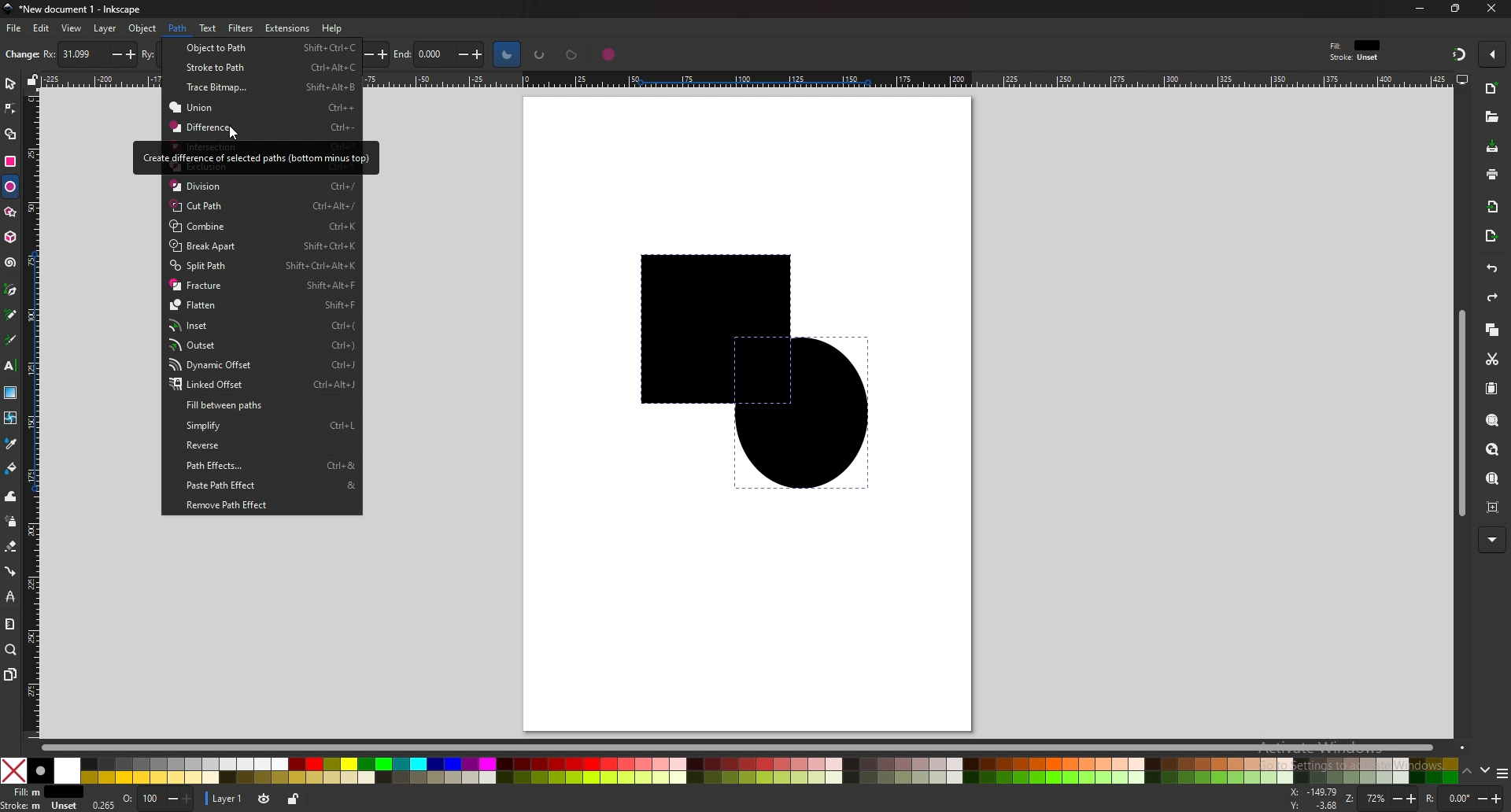  What do you see at coordinates (1492, 297) in the screenshot?
I see `redo` at bounding box center [1492, 297].